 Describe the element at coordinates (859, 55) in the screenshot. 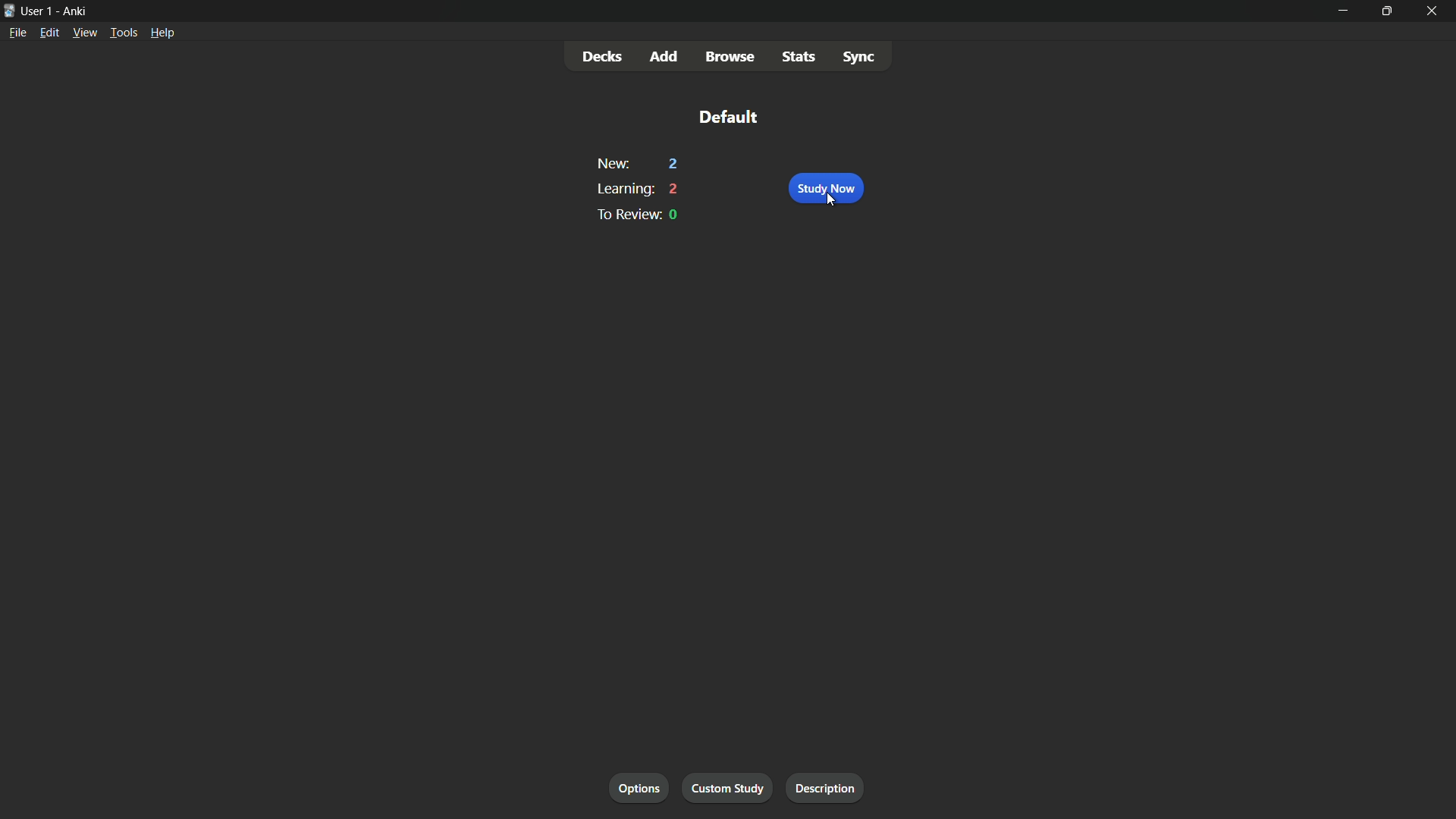

I see `sync` at that location.